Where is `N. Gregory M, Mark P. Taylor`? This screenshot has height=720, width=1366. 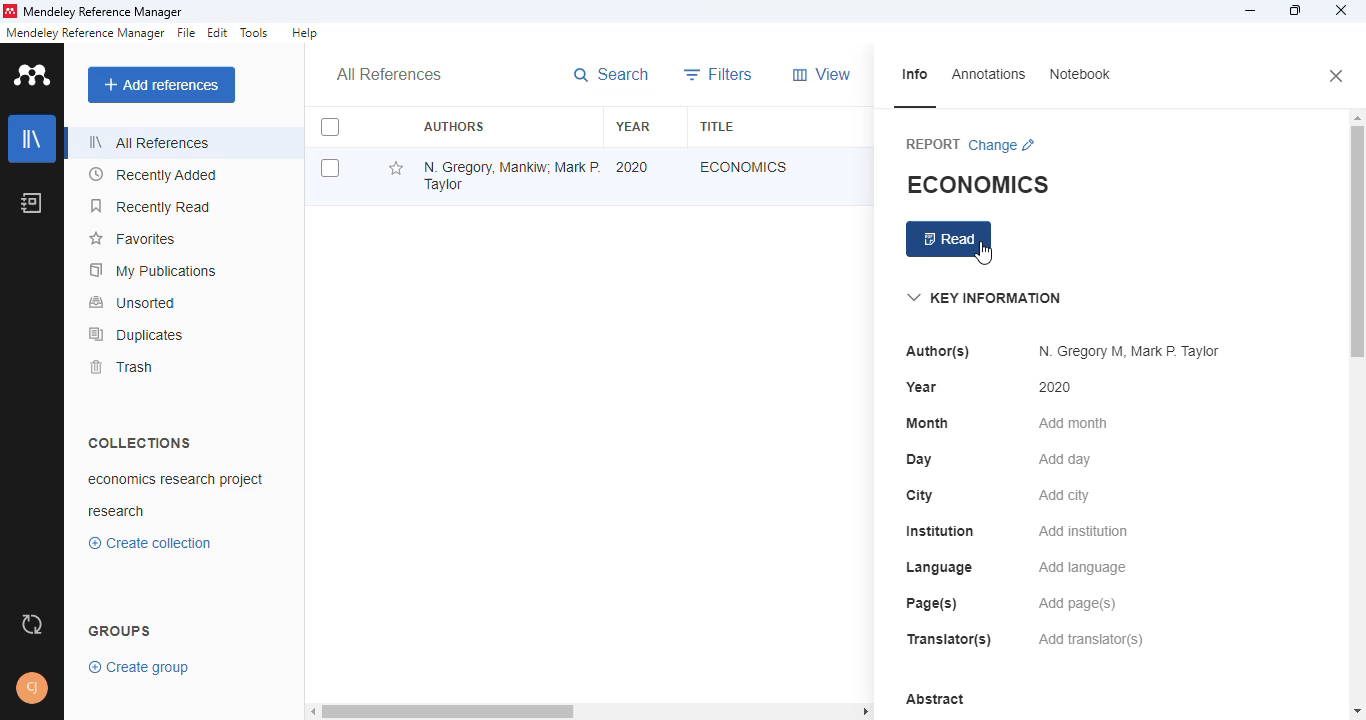 N. Gregory M, Mark P. Taylor is located at coordinates (1130, 351).